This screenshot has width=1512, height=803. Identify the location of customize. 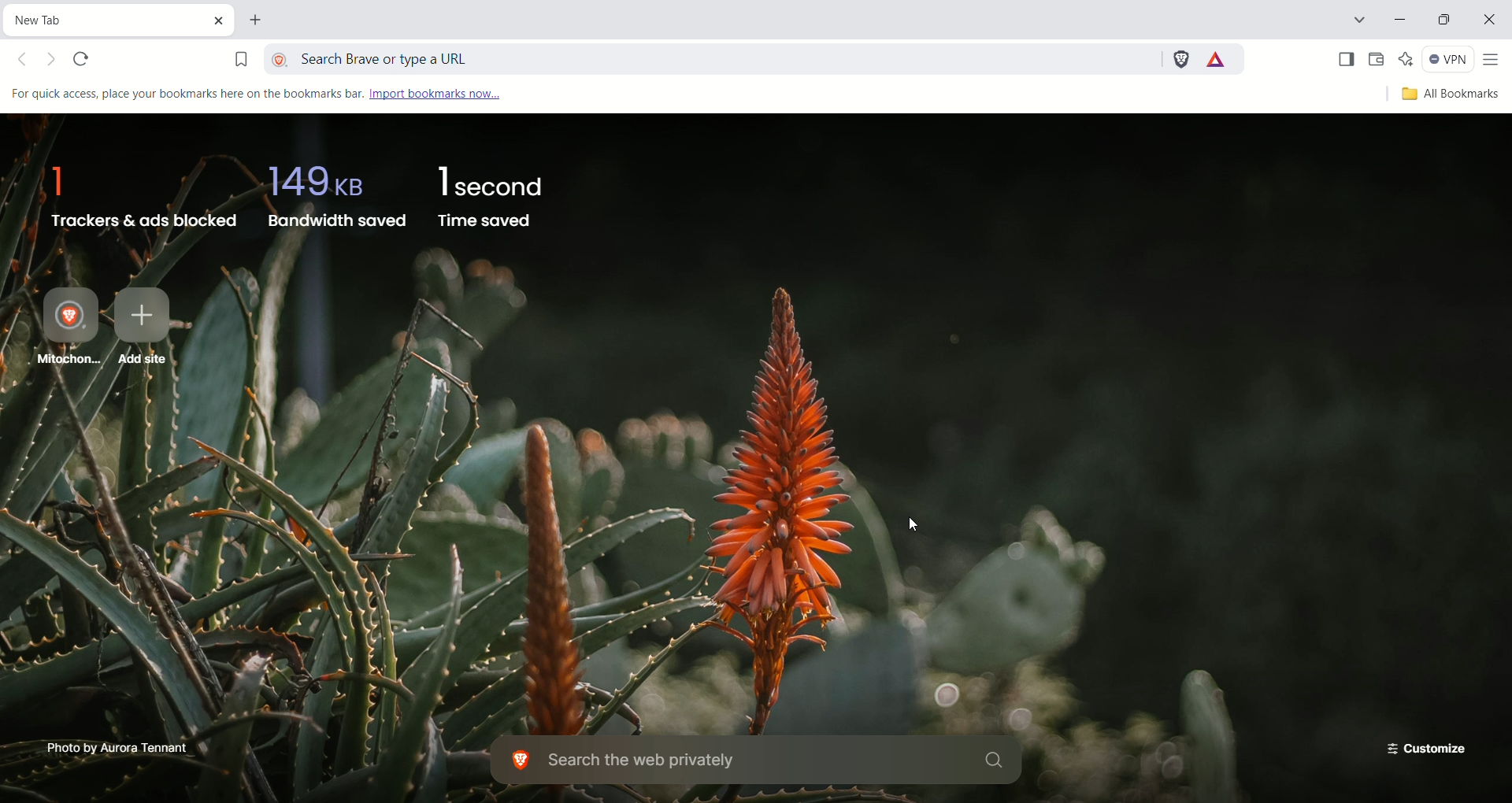
(1421, 746).